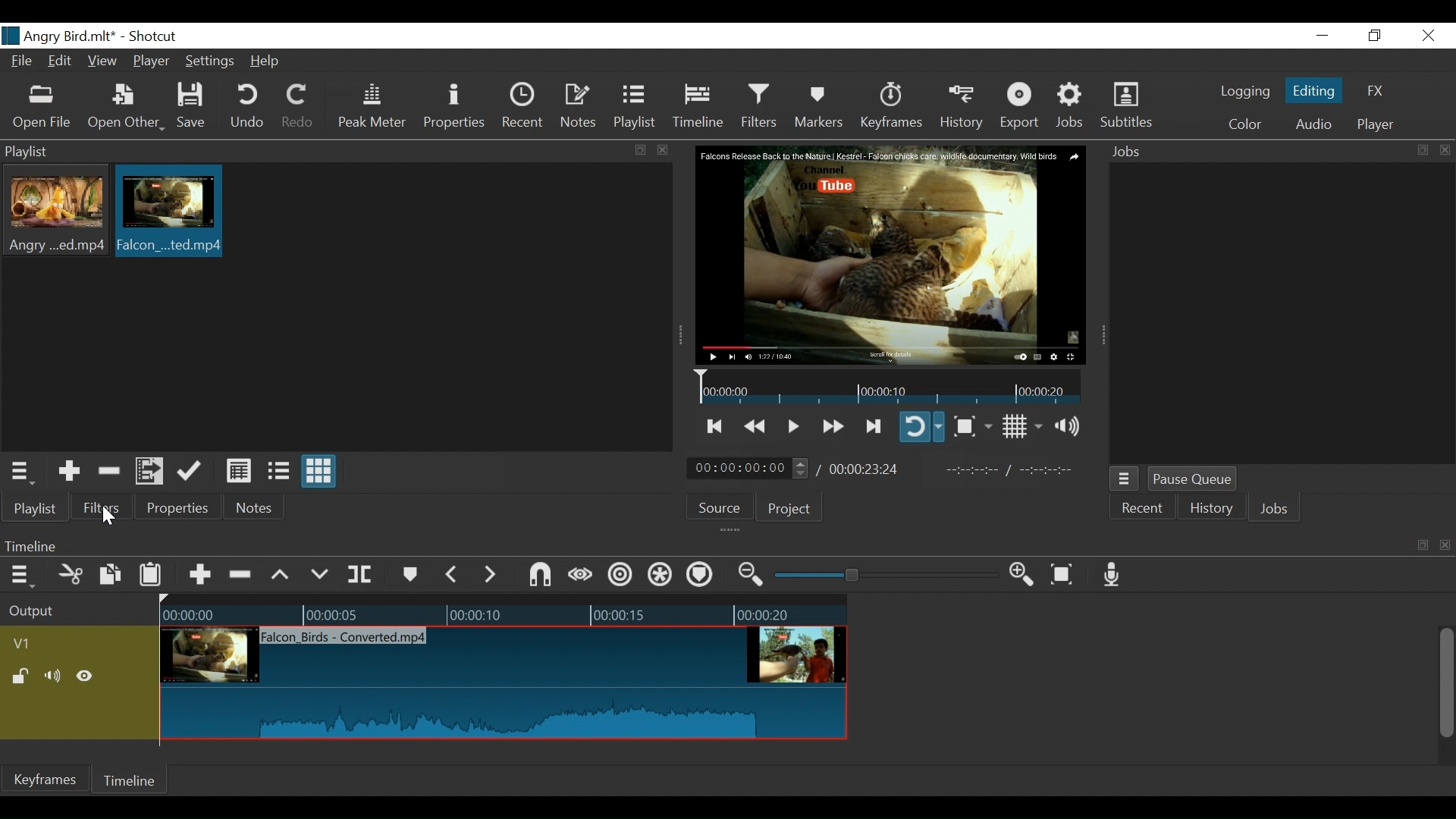 Image resolution: width=1456 pixels, height=819 pixels. What do you see at coordinates (126, 107) in the screenshot?
I see `Open Other` at bounding box center [126, 107].